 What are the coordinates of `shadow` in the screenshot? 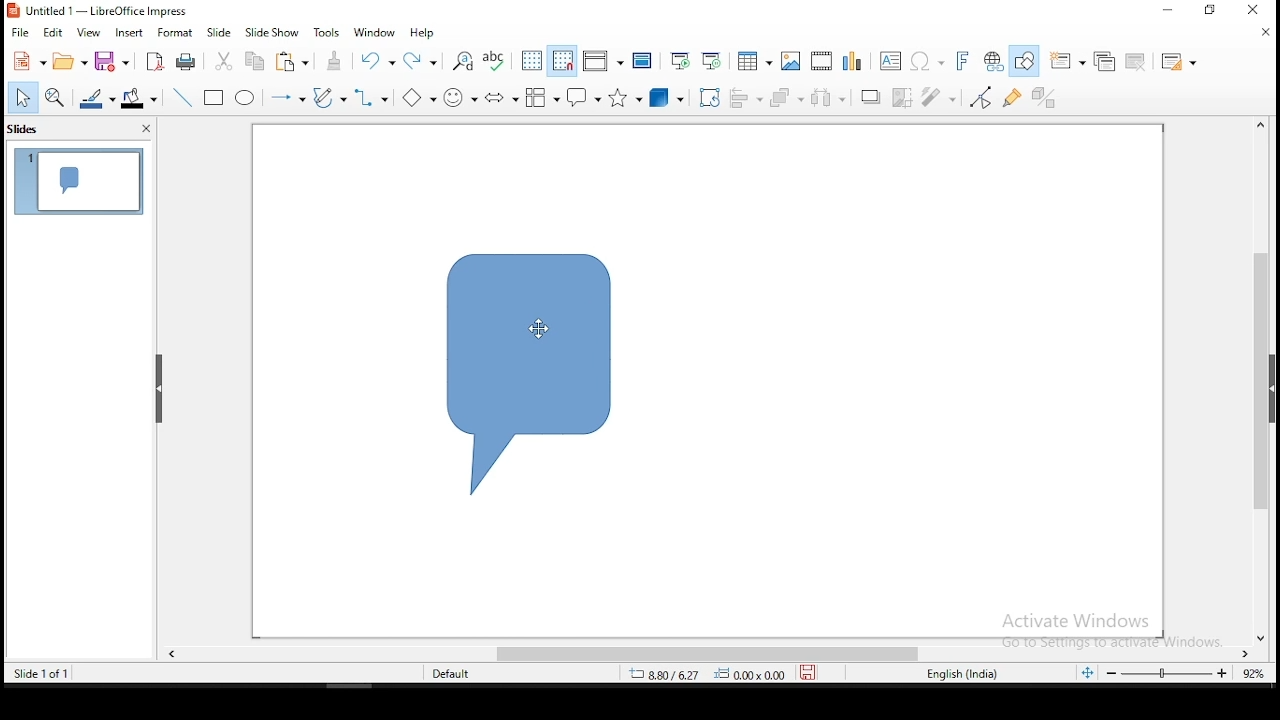 It's located at (867, 97).